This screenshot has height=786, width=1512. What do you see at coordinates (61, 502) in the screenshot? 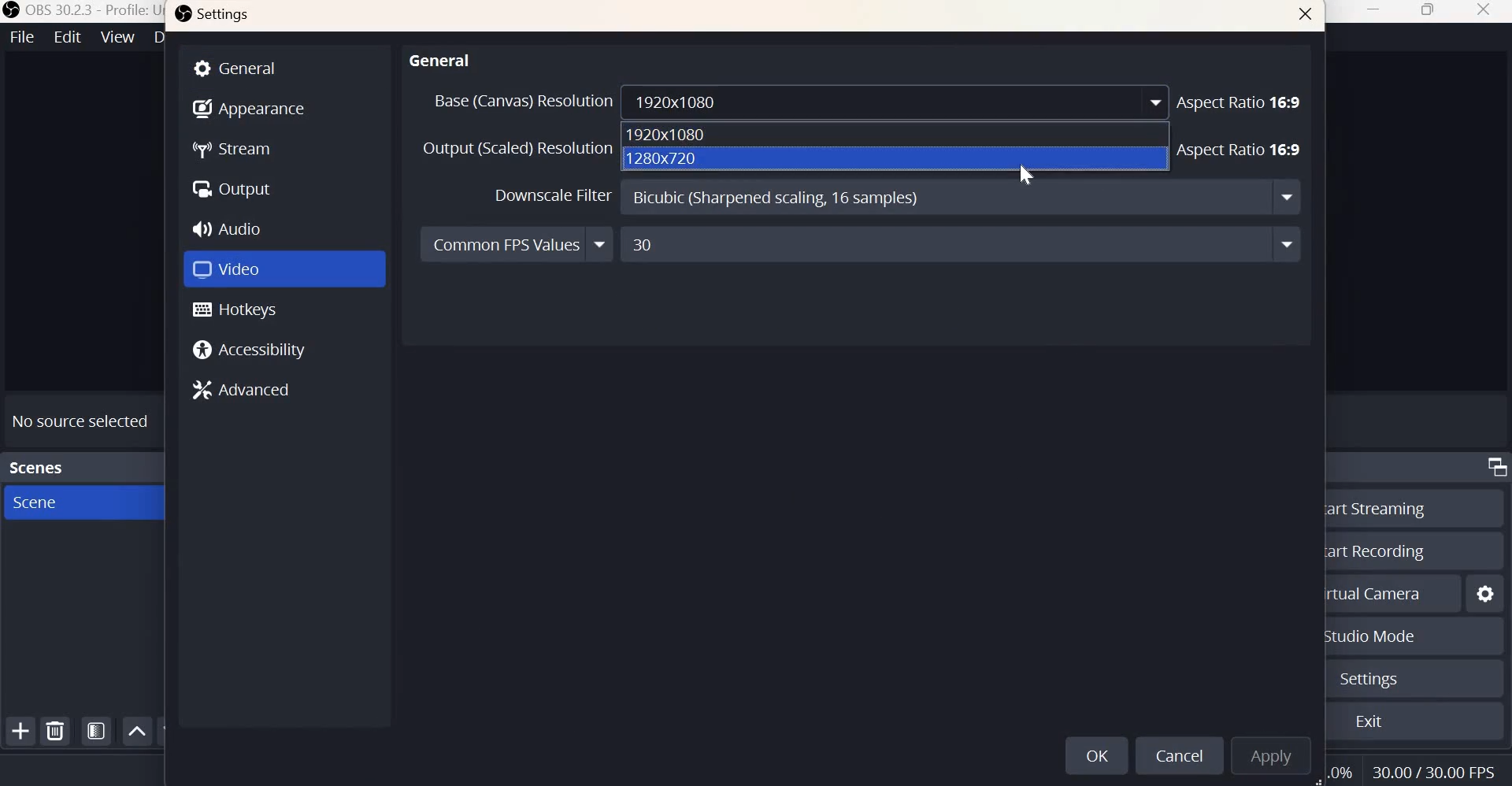
I see `Scene` at bounding box center [61, 502].